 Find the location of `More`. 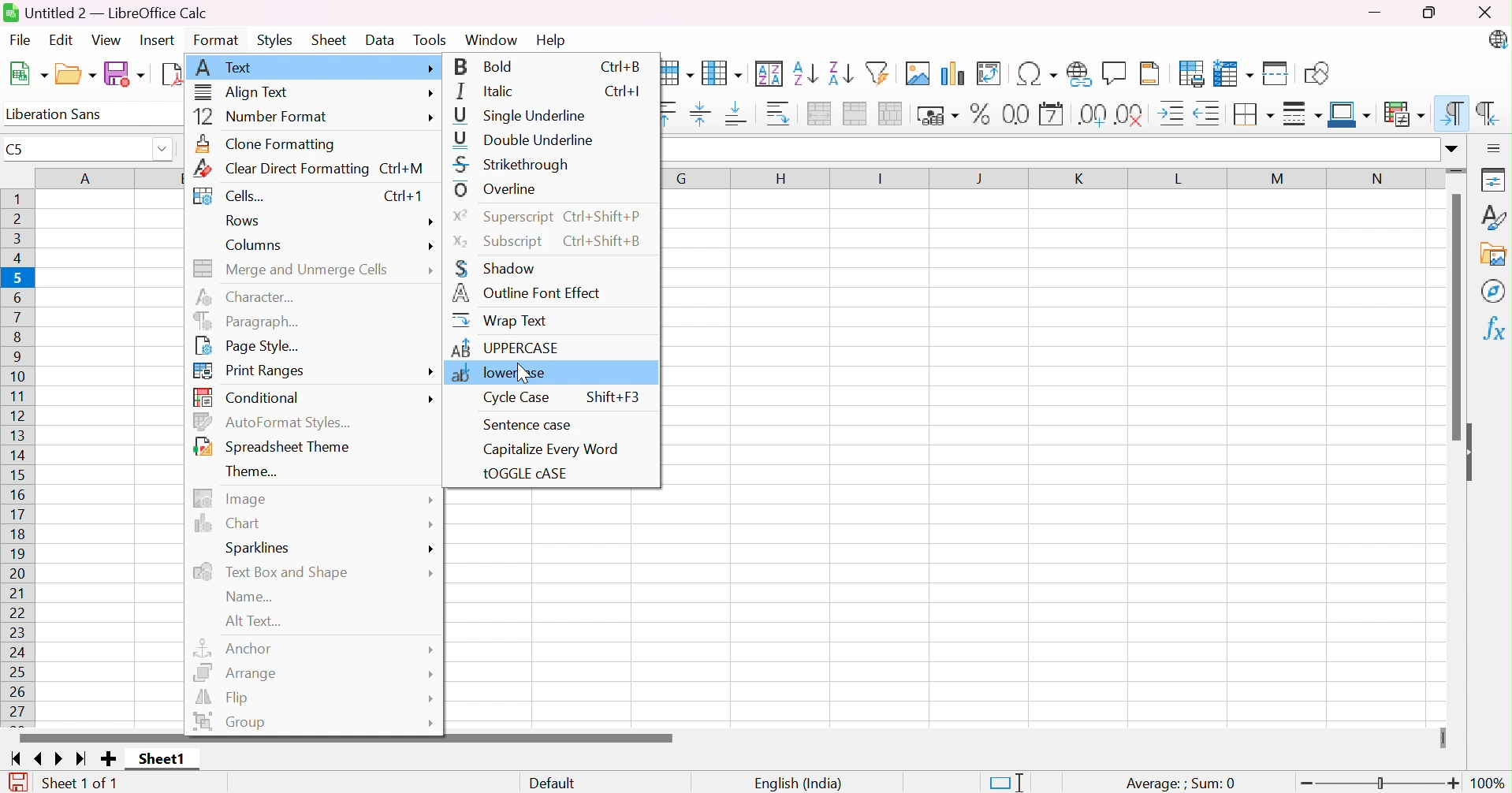

More is located at coordinates (431, 697).